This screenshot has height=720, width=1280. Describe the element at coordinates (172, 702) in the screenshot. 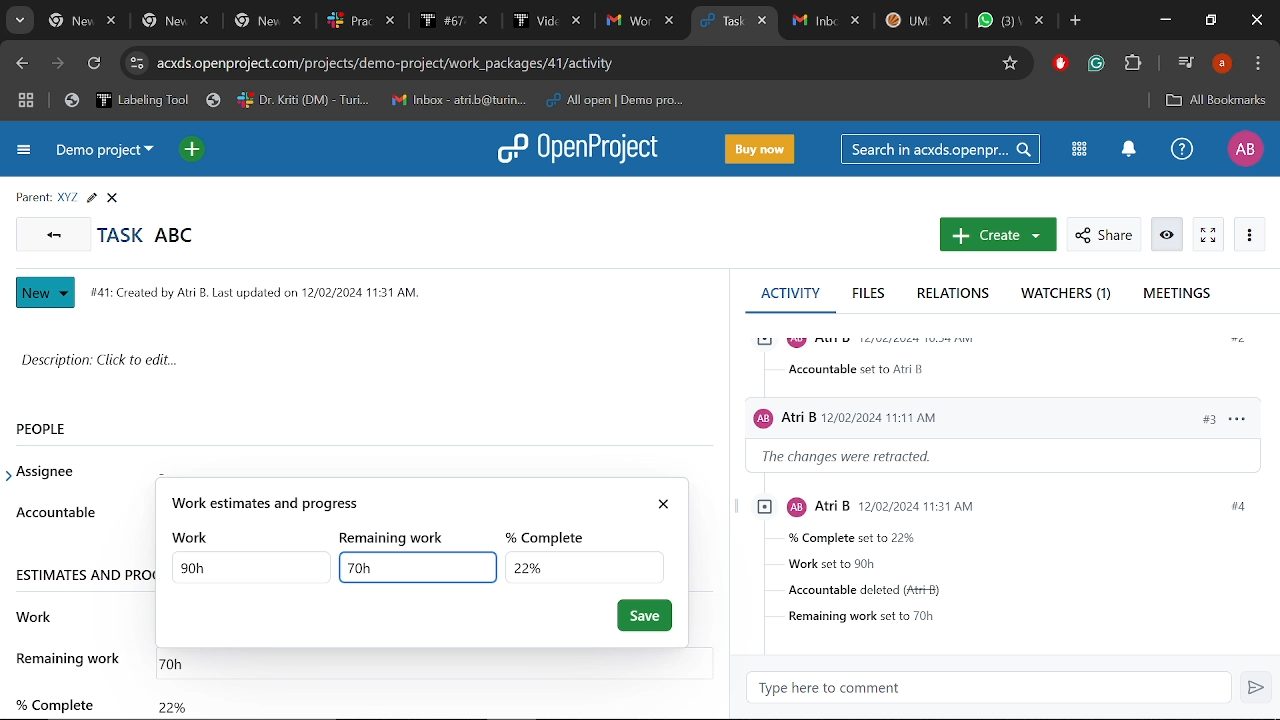

I see `Completed work` at that location.